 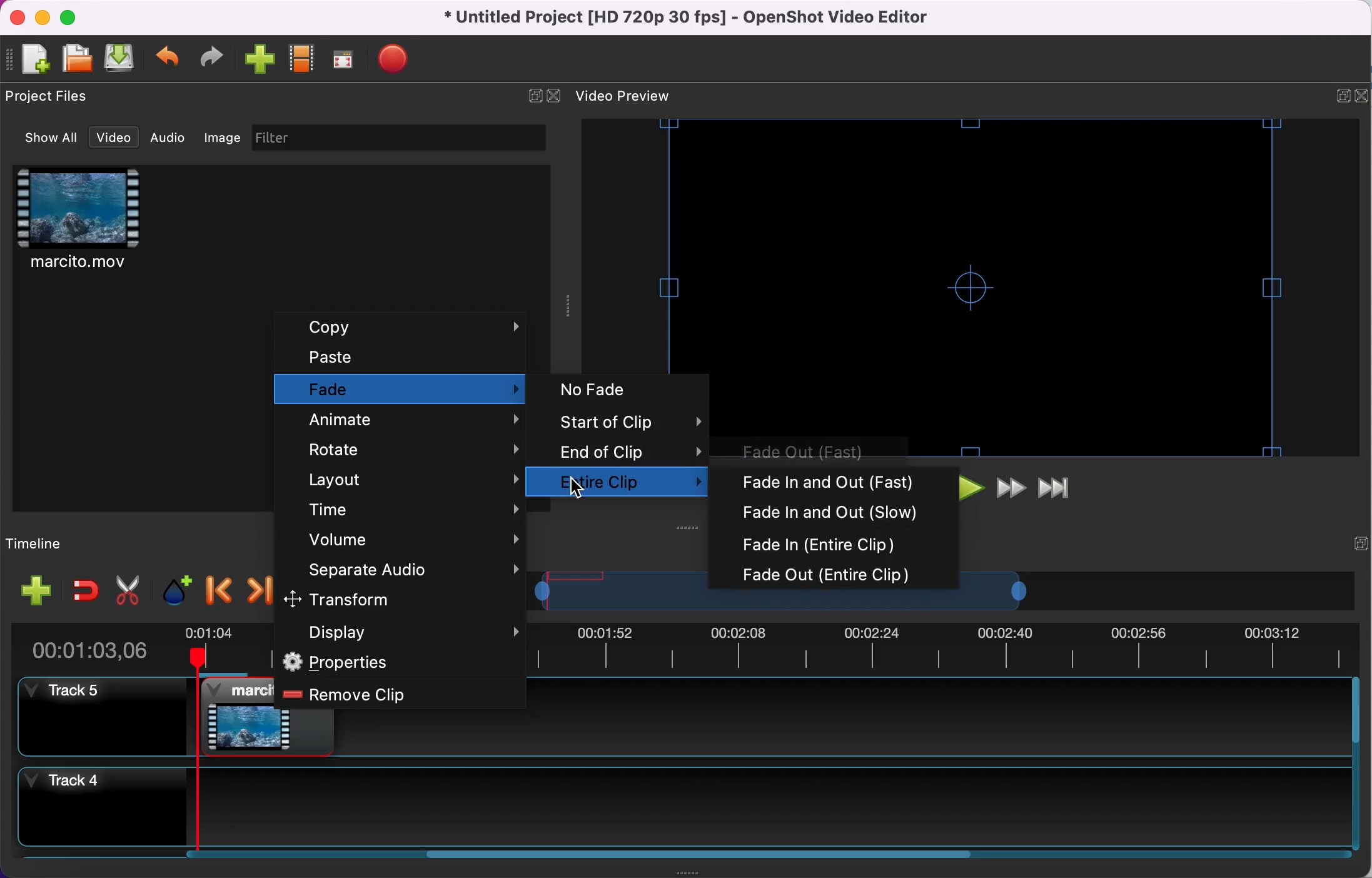 What do you see at coordinates (218, 136) in the screenshot?
I see `image` at bounding box center [218, 136].